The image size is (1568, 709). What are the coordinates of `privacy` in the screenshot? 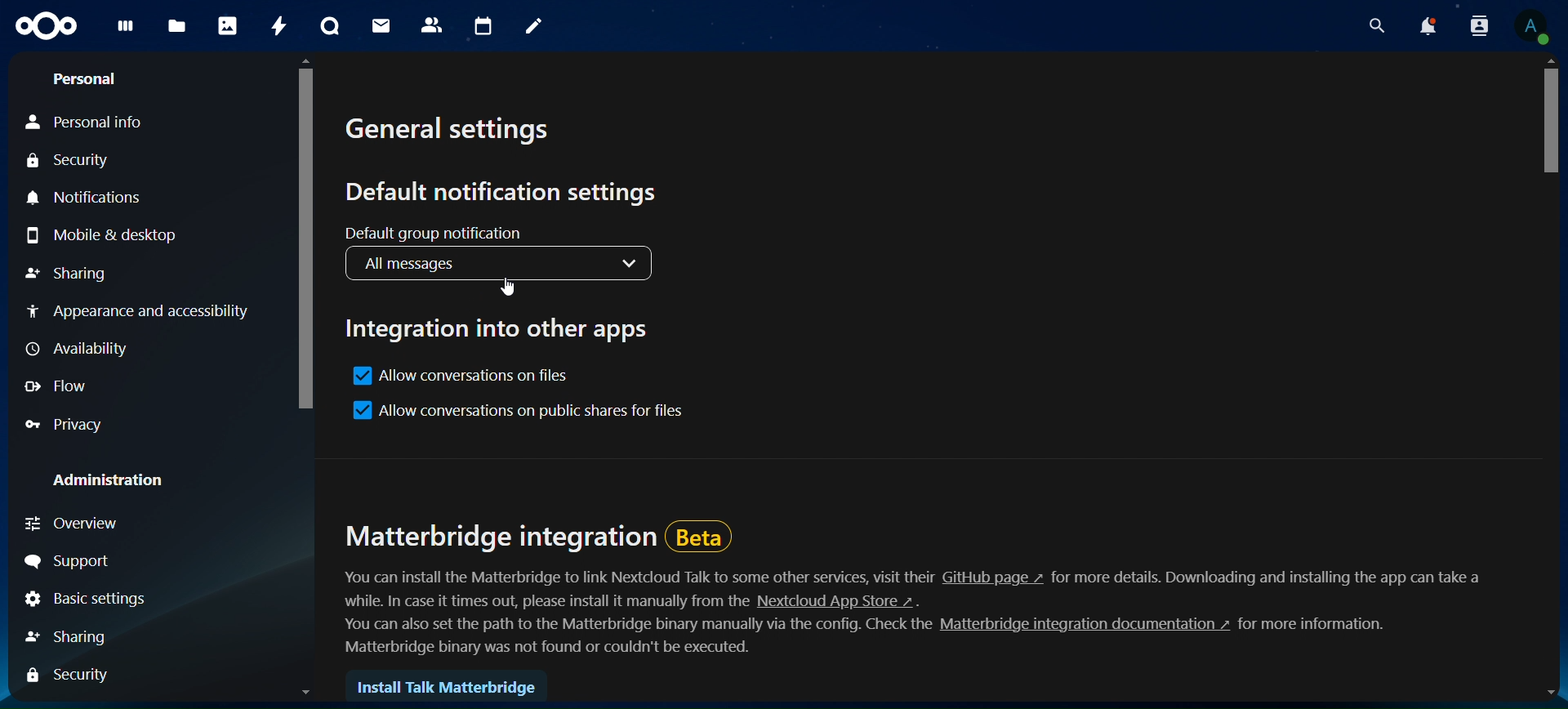 It's located at (70, 423).